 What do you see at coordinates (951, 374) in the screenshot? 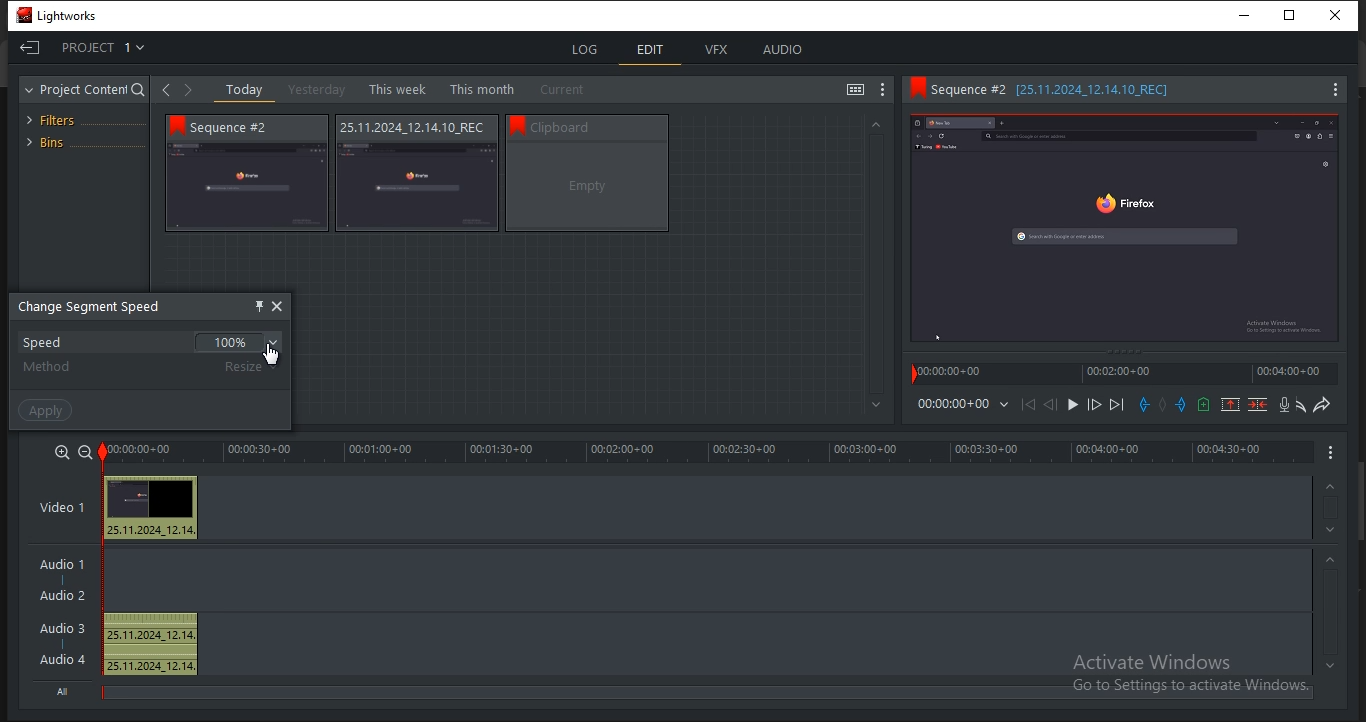
I see `time stamp` at bounding box center [951, 374].